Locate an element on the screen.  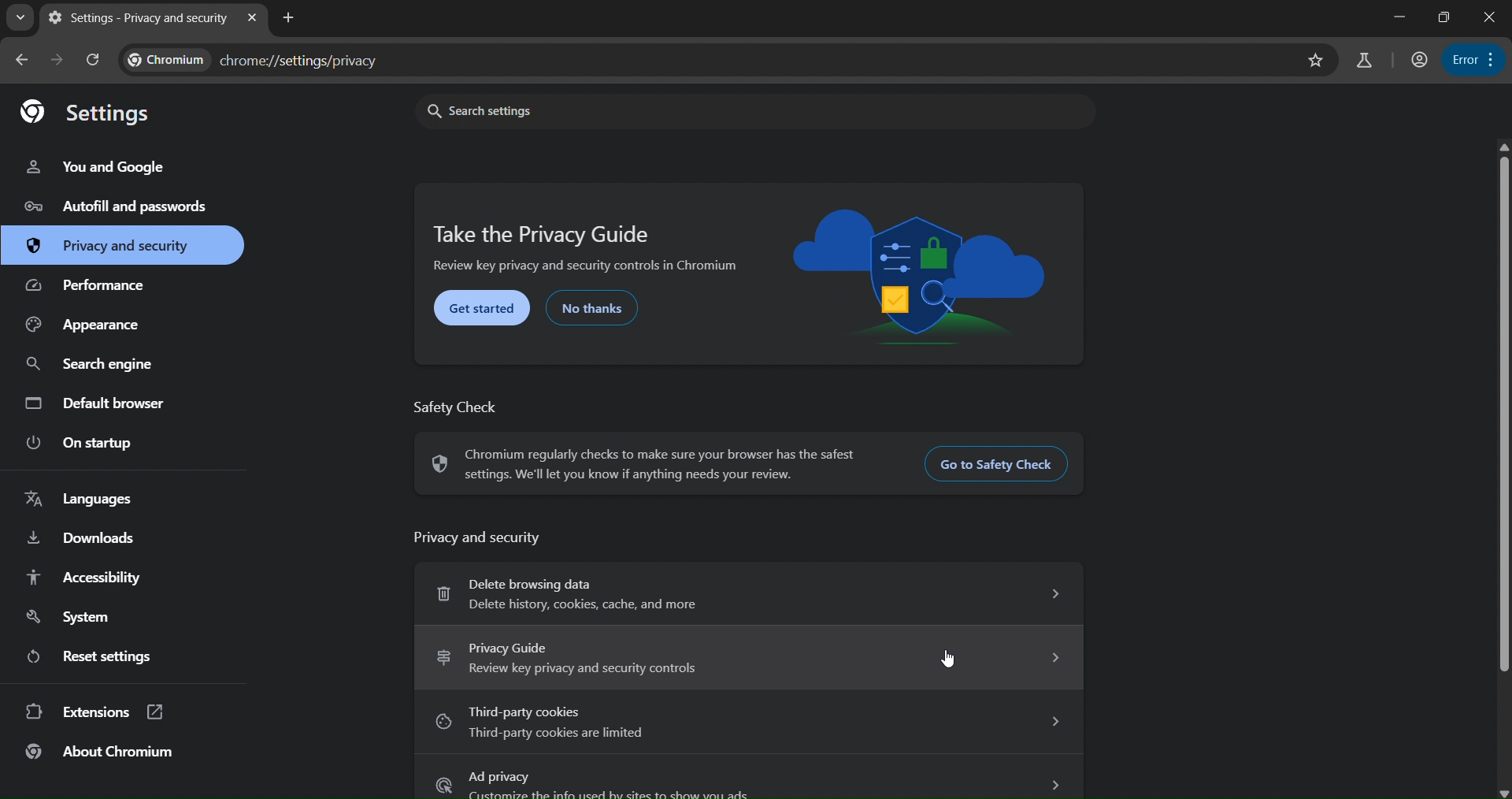
bookmark page is located at coordinates (1315, 61).